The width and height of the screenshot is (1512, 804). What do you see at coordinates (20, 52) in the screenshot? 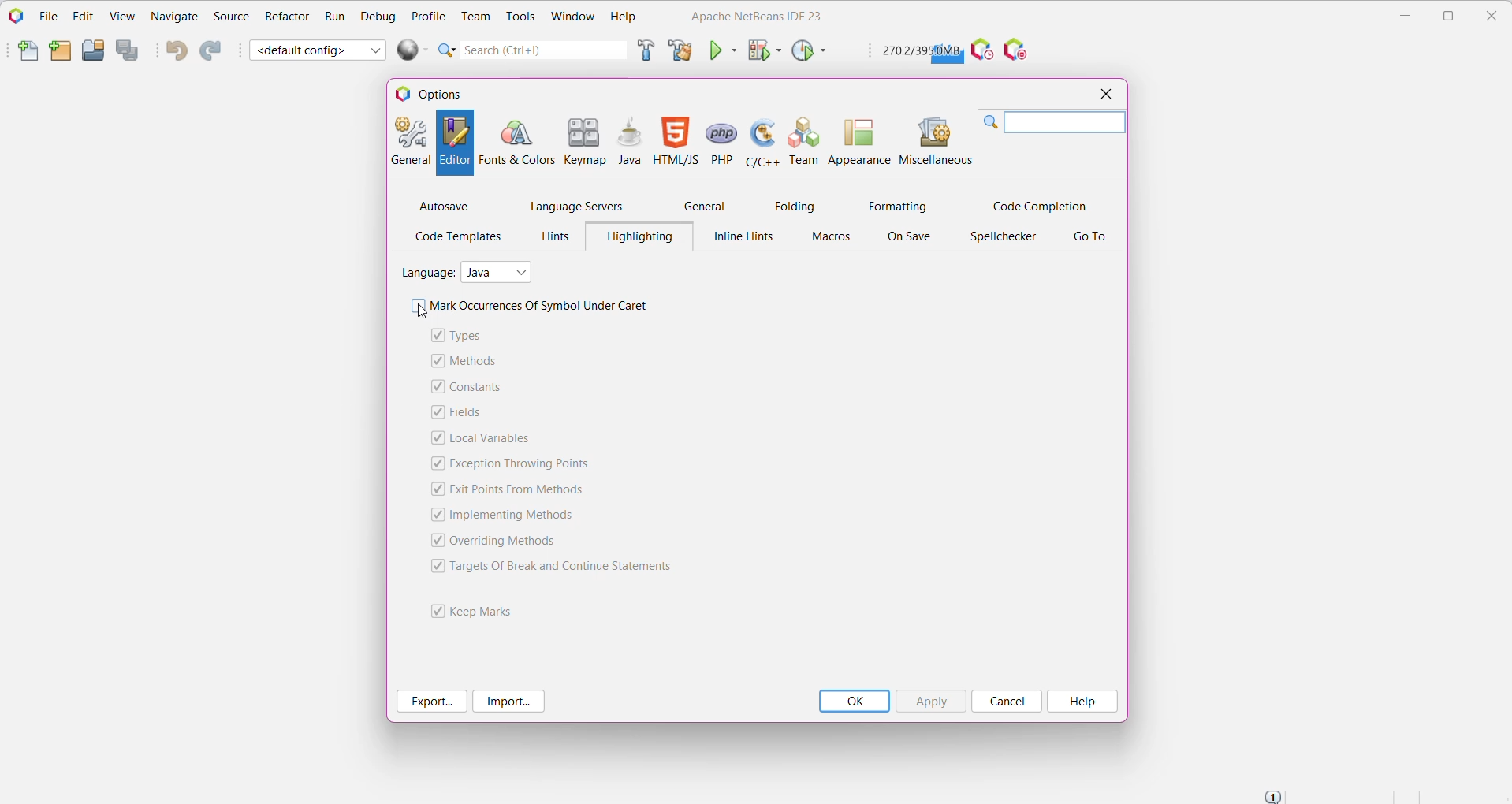
I see `New File` at bounding box center [20, 52].